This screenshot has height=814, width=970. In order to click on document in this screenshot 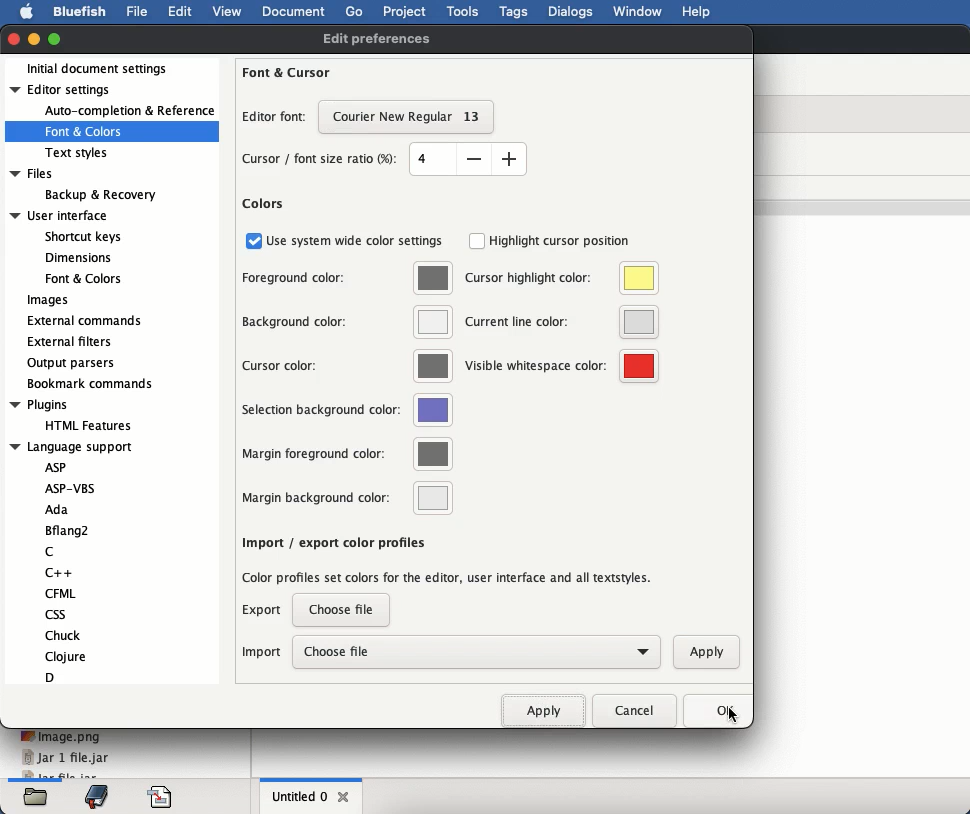, I will do `click(295, 14)`.